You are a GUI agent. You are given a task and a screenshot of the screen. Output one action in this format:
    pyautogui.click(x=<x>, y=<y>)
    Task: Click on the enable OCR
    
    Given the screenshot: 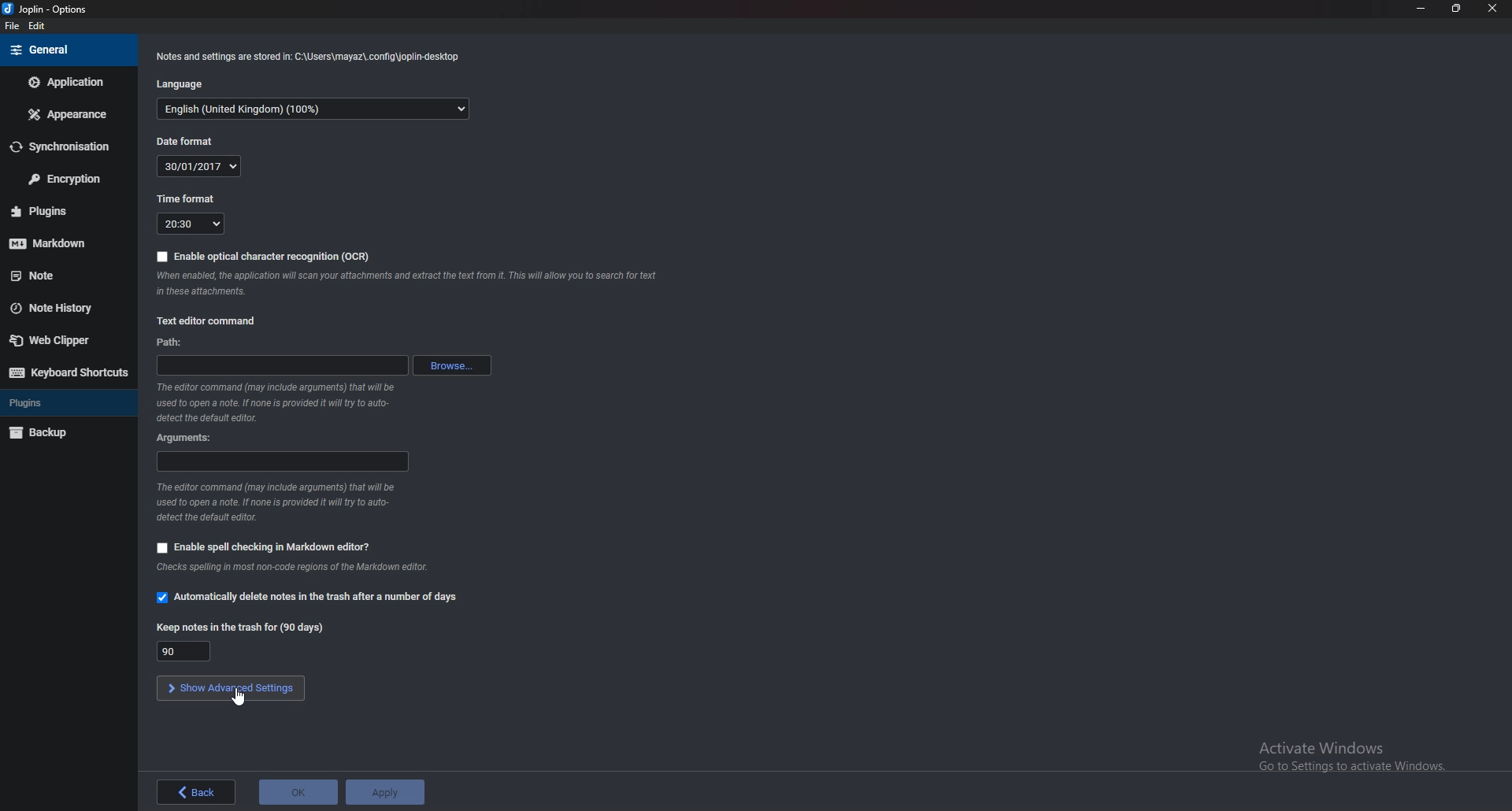 What is the action you would take?
    pyautogui.click(x=264, y=256)
    